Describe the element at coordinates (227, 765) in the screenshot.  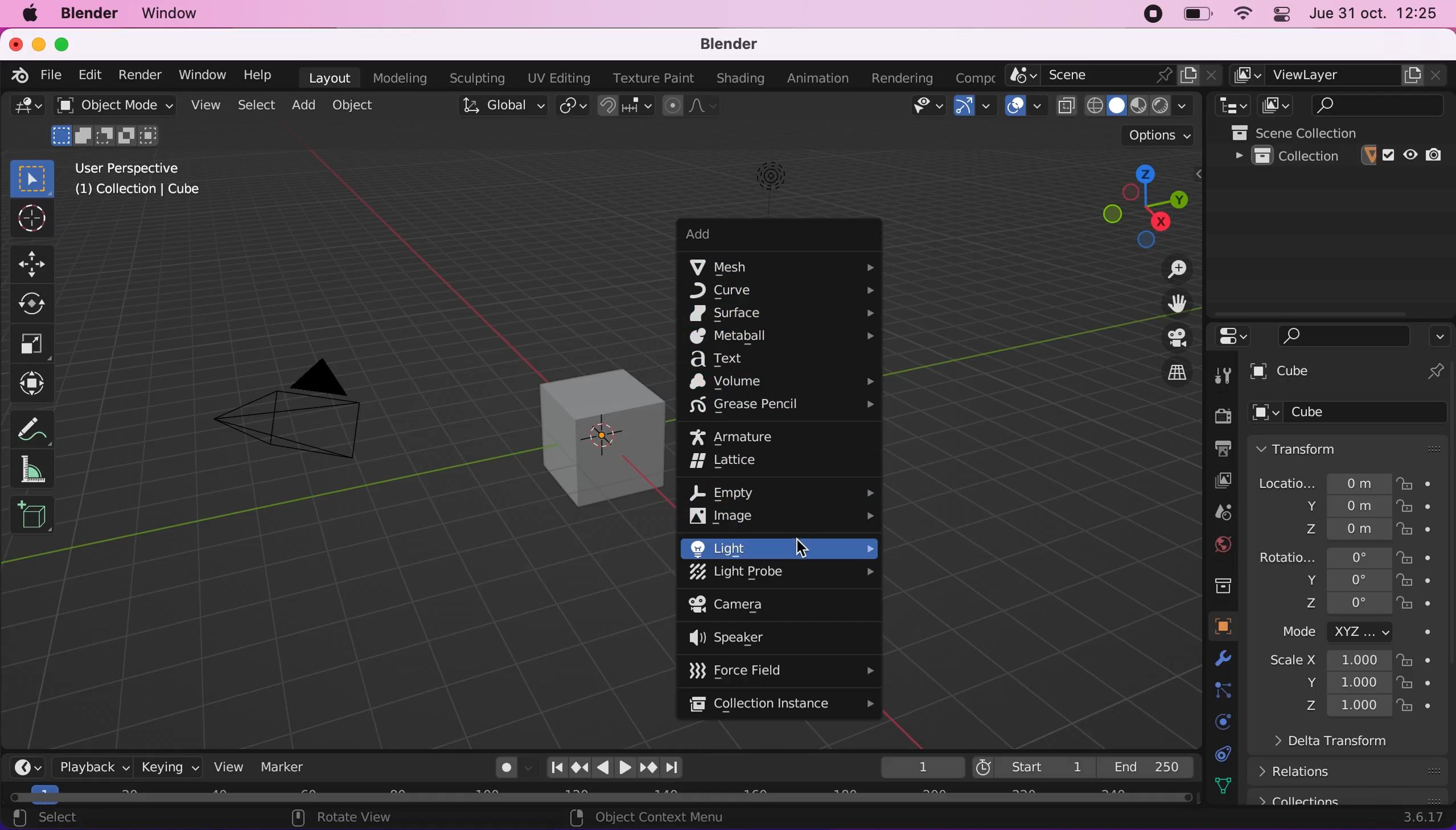
I see `view` at that location.